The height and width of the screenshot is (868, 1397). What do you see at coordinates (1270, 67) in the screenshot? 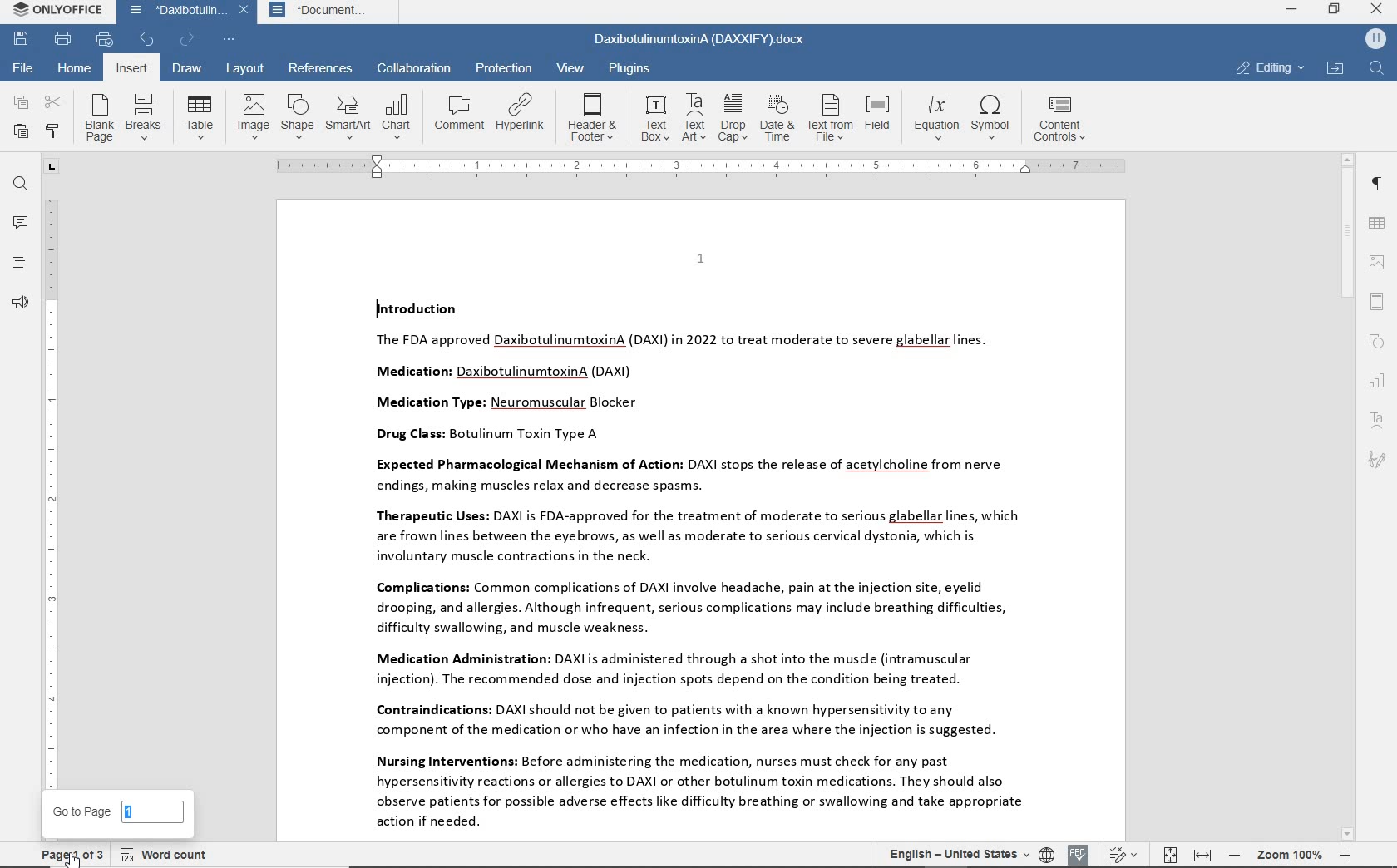
I see `editing` at bounding box center [1270, 67].